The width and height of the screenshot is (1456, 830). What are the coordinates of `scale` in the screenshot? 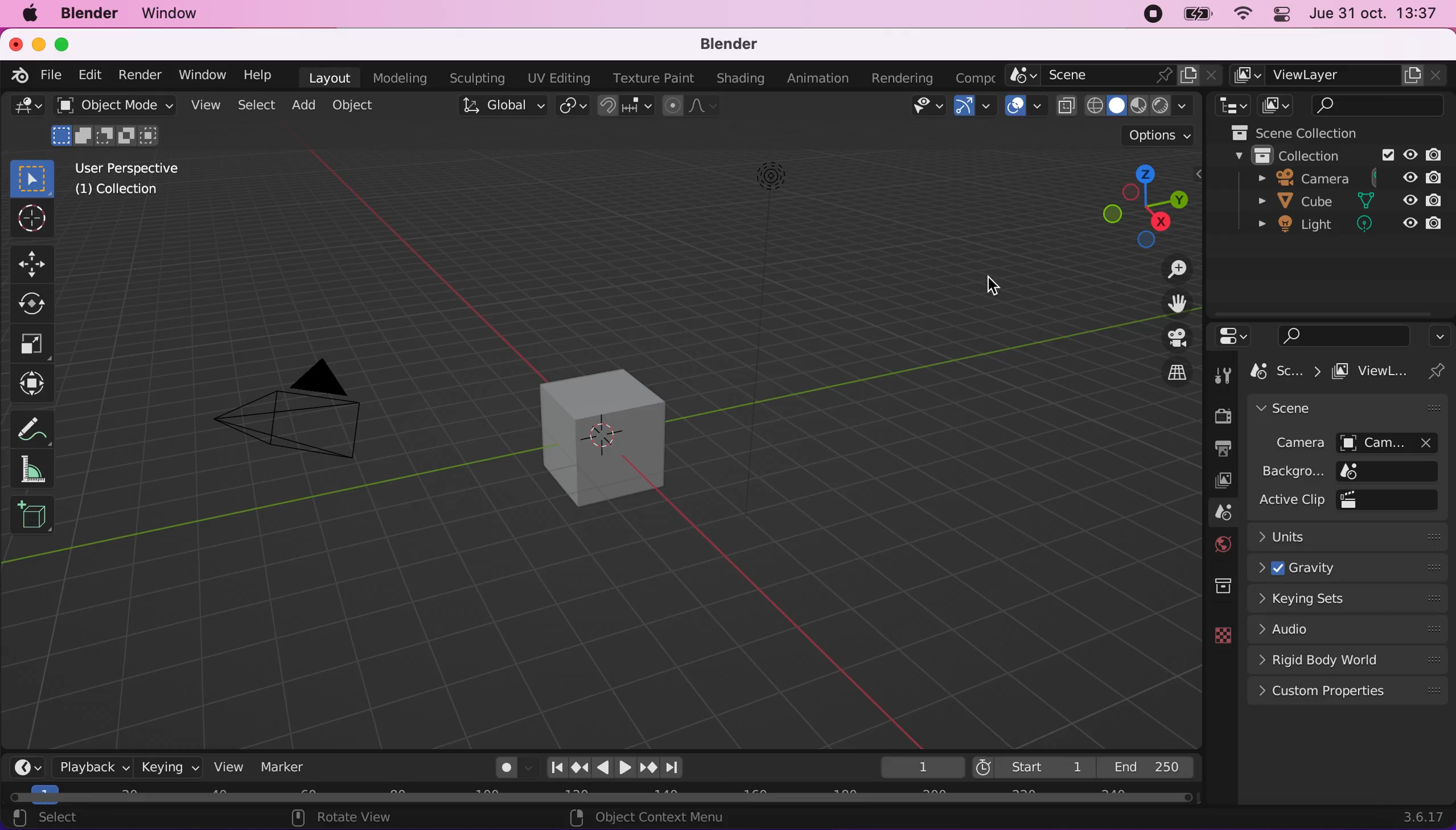 It's located at (32, 344).